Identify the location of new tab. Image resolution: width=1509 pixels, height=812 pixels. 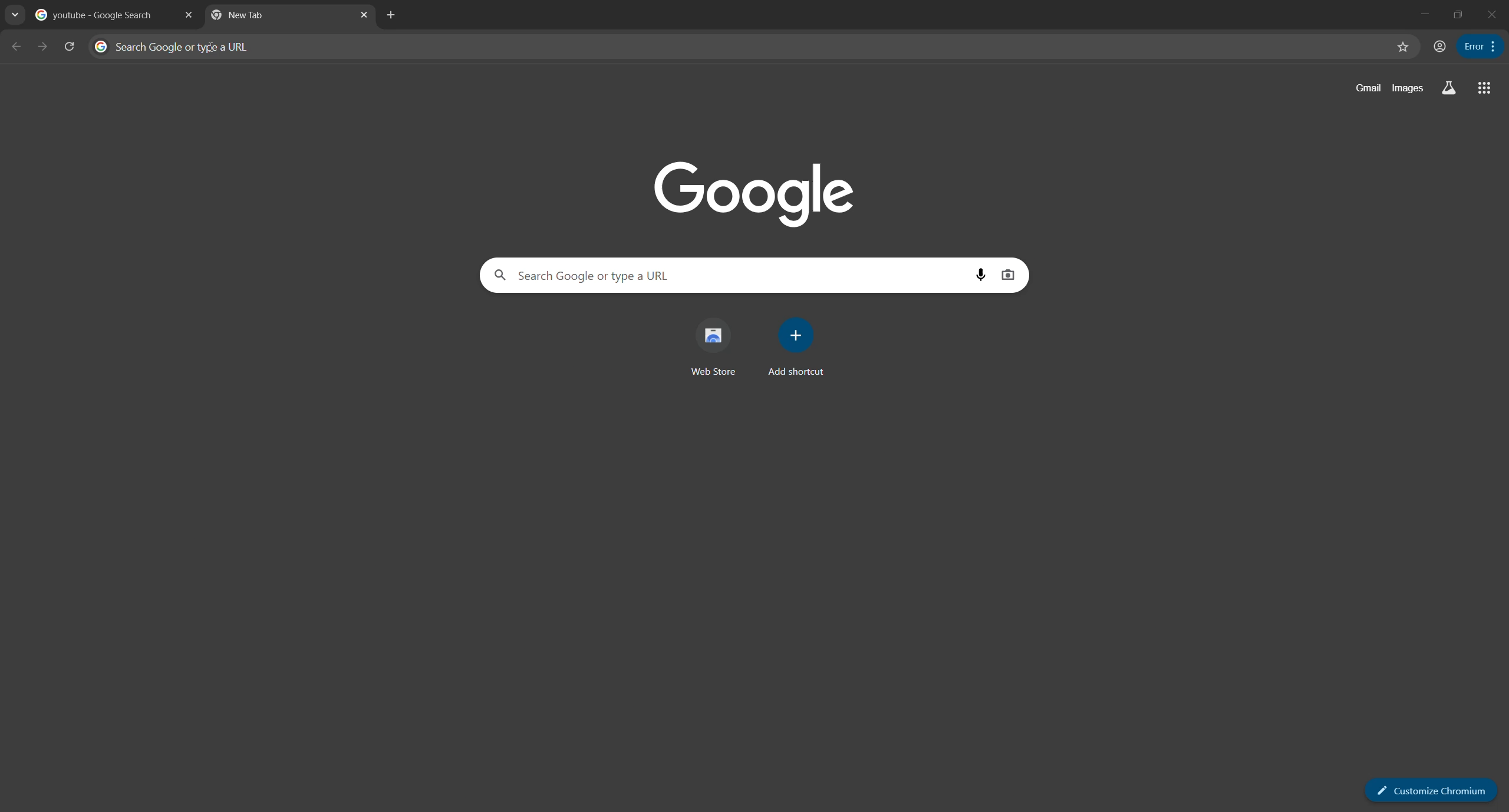
(275, 18).